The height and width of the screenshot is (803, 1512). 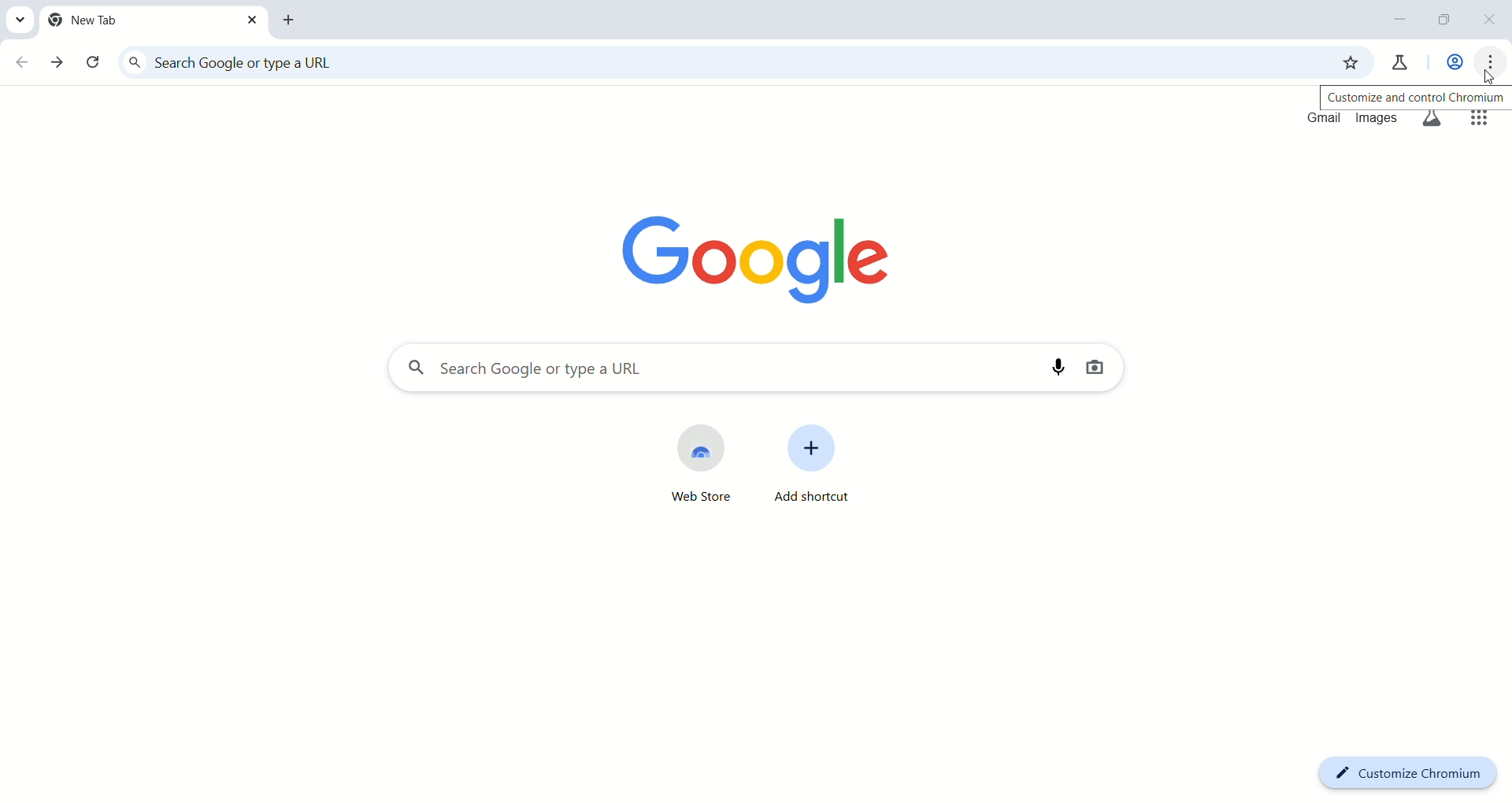 I want to click on search by voice, so click(x=1060, y=368).